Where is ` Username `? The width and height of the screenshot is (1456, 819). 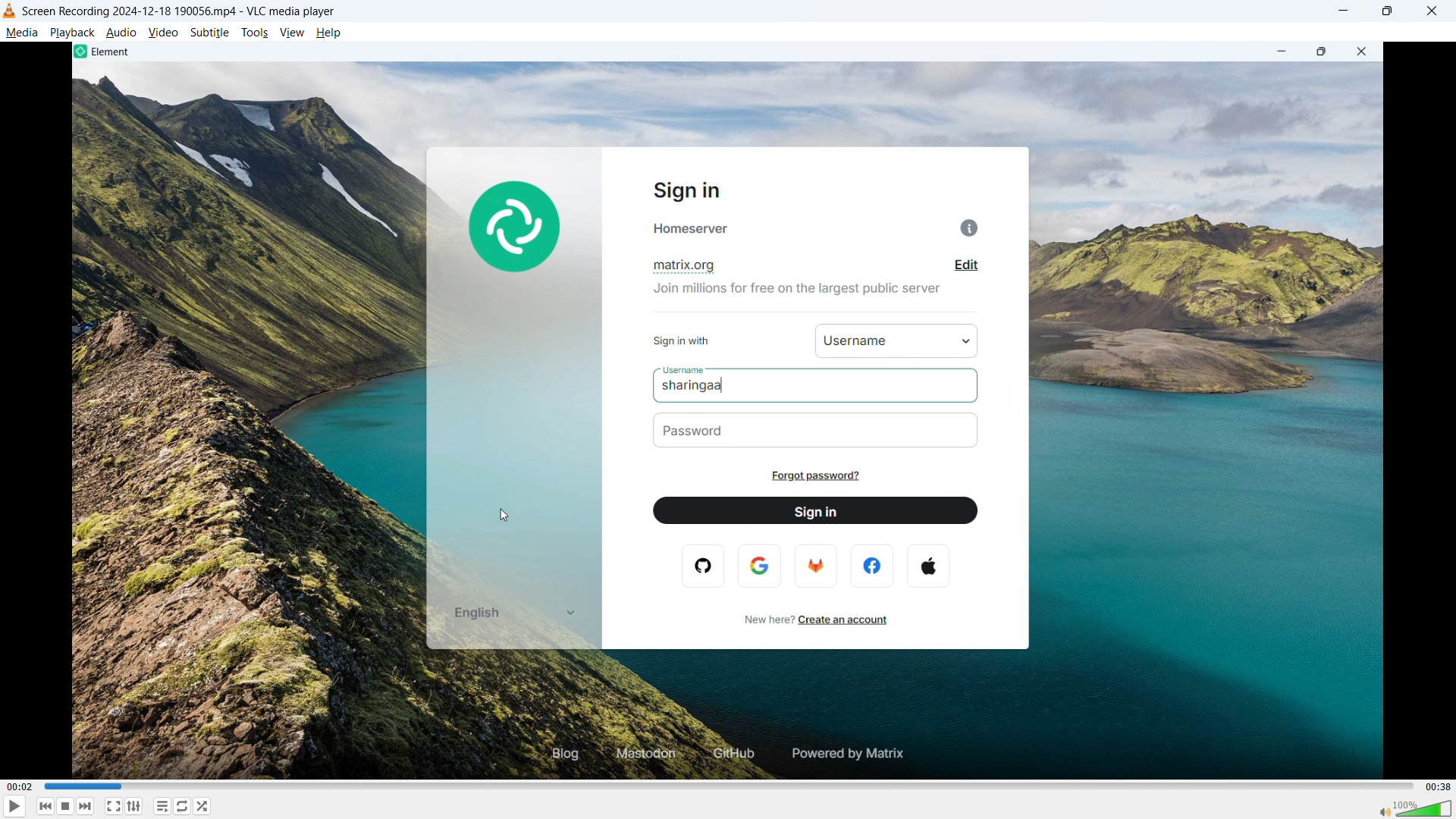
 Username  is located at coordinates (682, 370).